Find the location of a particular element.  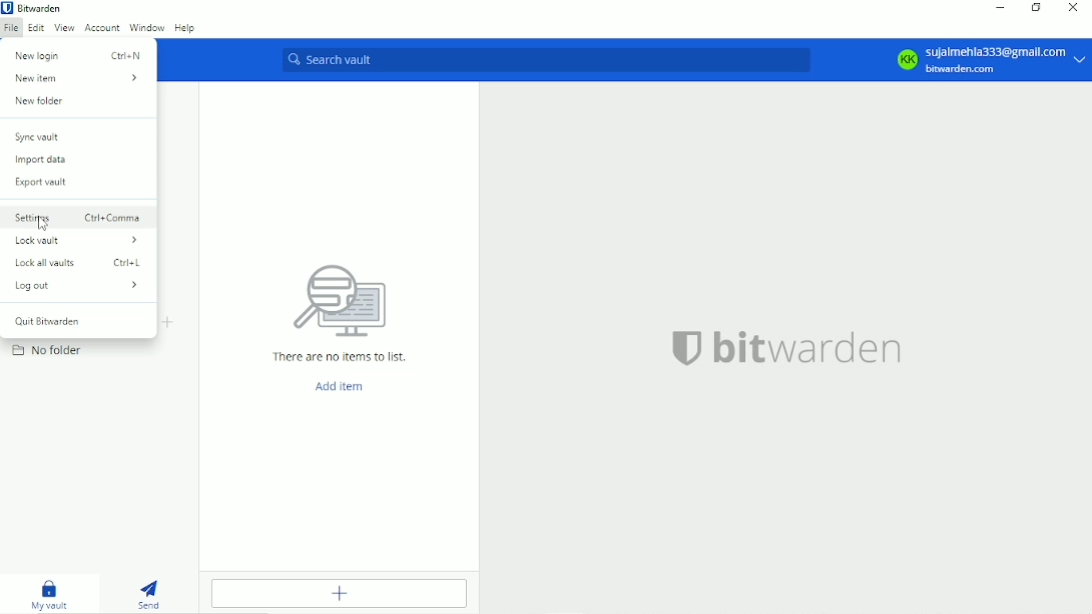

My vault is located at coordinates (50, 594).